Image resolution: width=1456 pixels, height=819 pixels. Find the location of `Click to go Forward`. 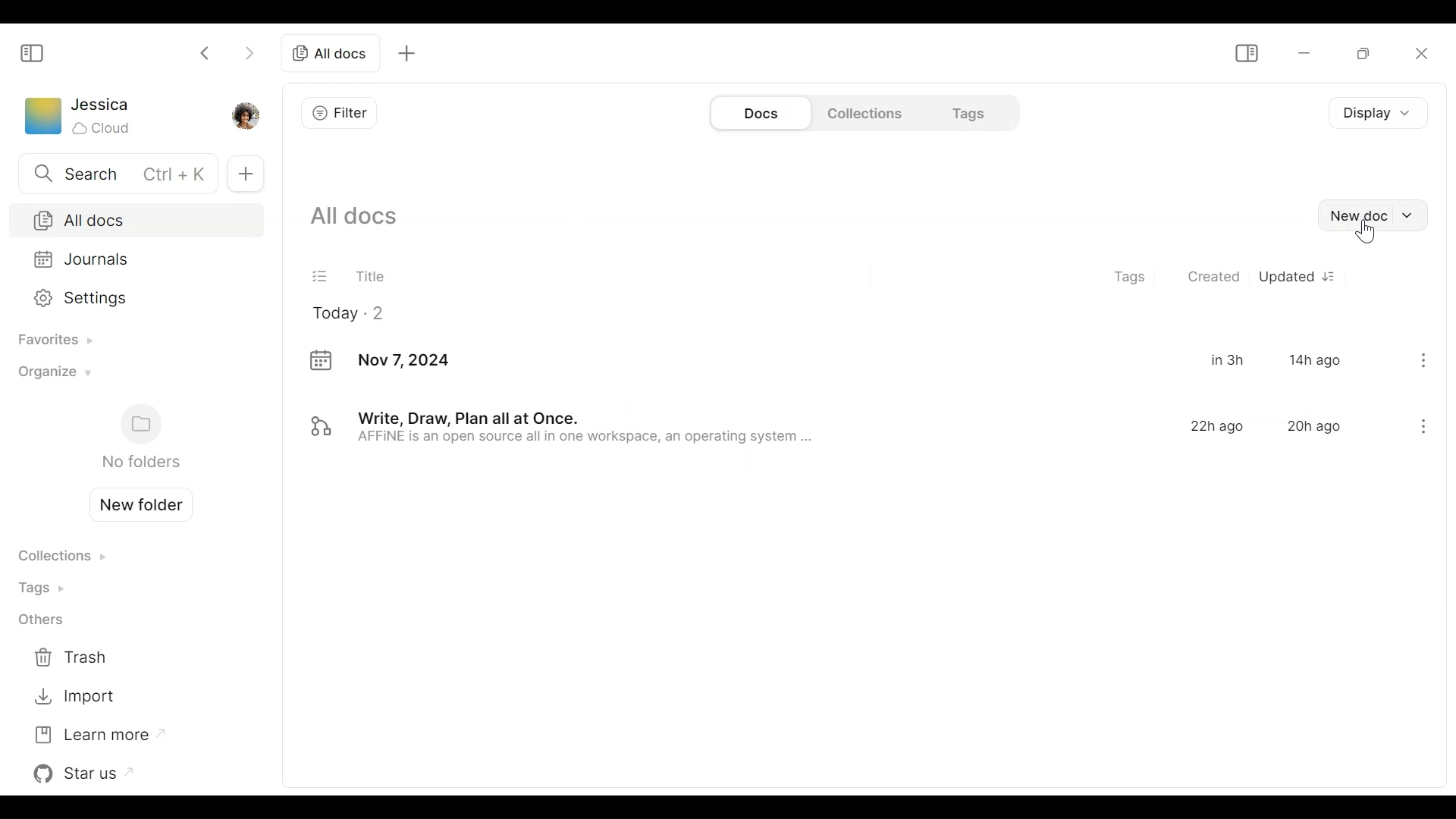

Click to go Forward is located at coordinates (249, 50).